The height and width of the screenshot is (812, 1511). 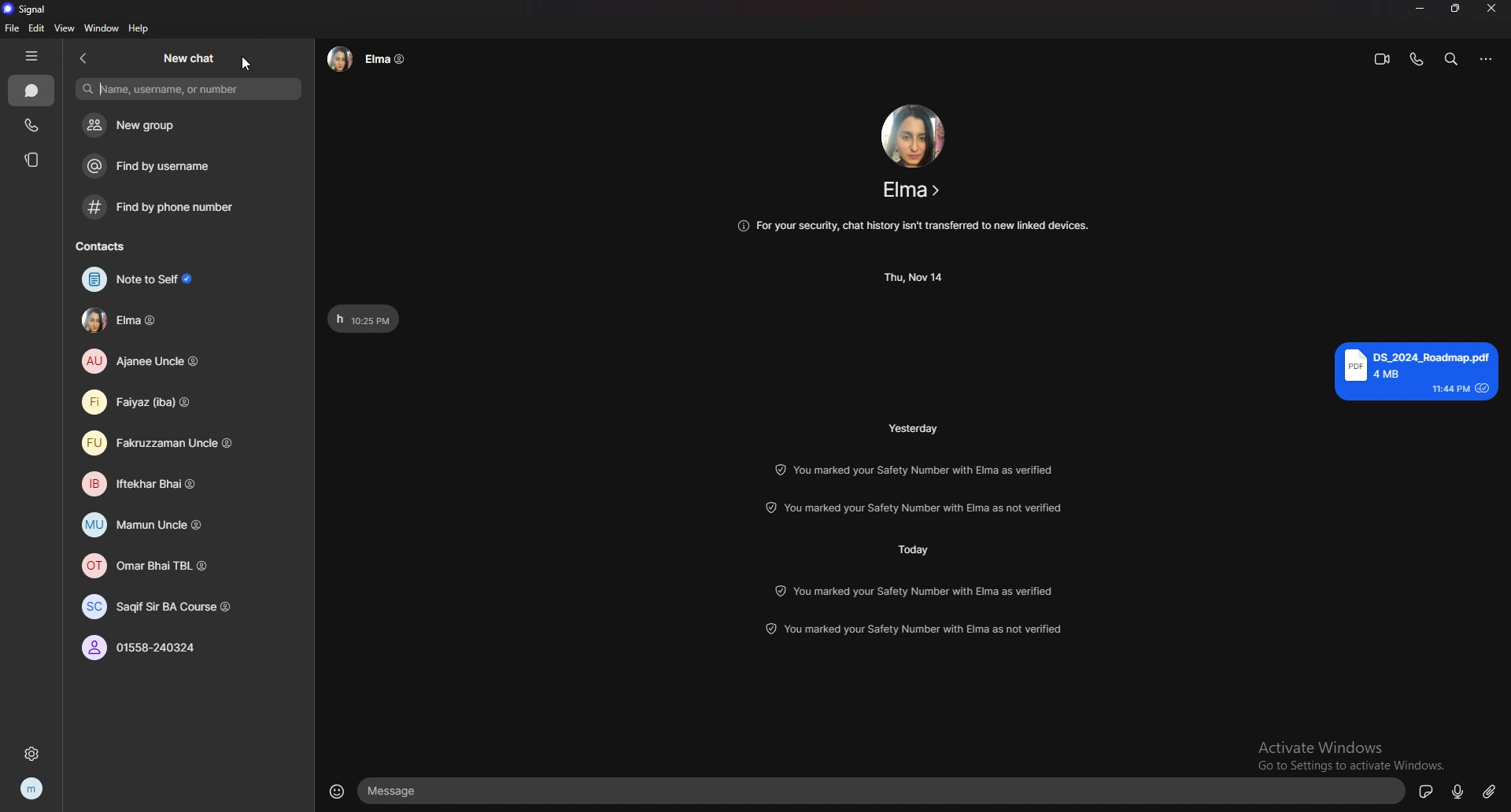 What do you see at coordinates (165, 166) in the screenshot?
I see `find by username` at bounding box center [165, 166].